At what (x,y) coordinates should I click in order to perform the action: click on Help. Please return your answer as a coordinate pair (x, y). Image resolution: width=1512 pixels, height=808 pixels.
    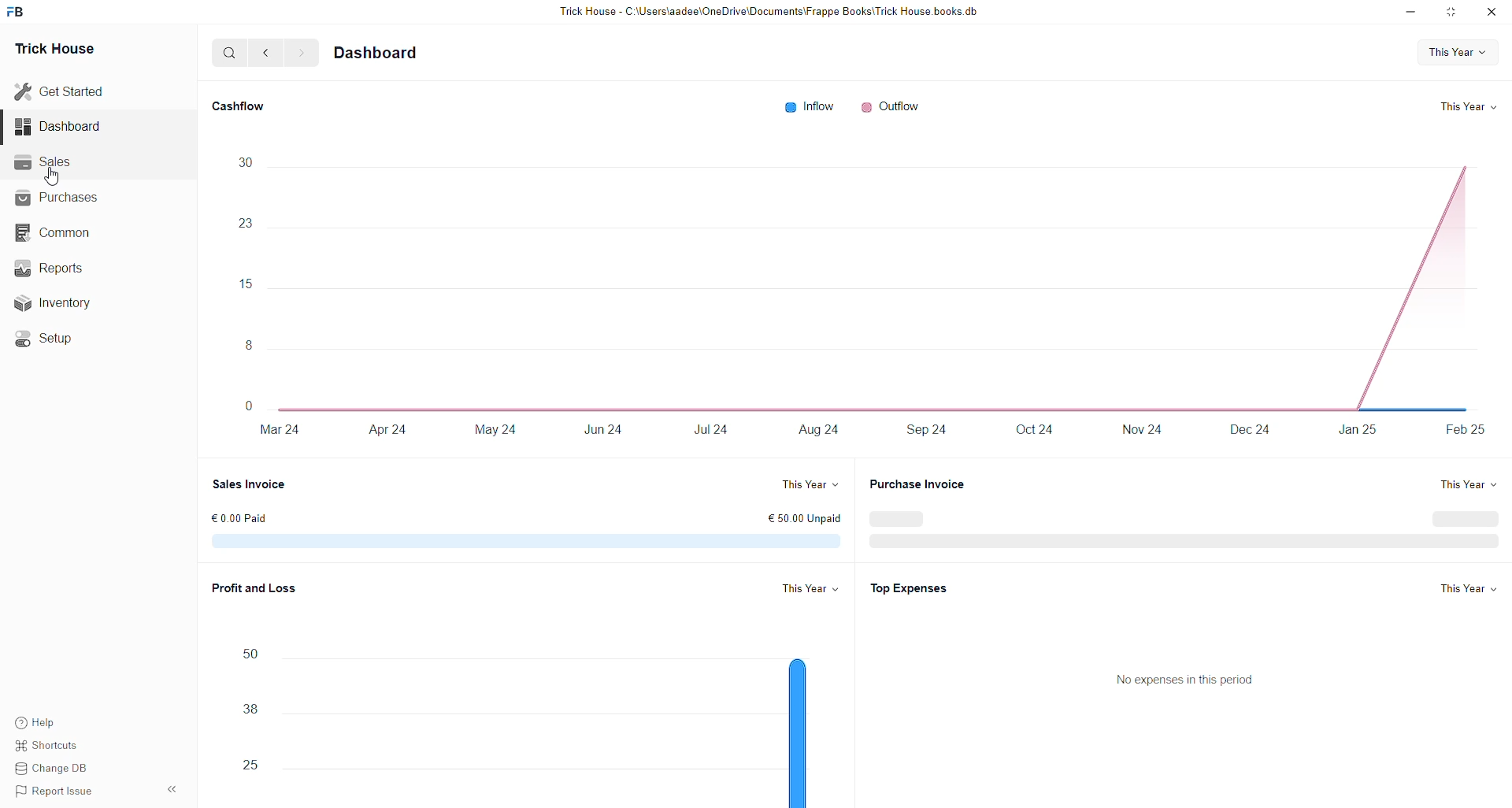
    Looking at the image, I should click on (38, 718).